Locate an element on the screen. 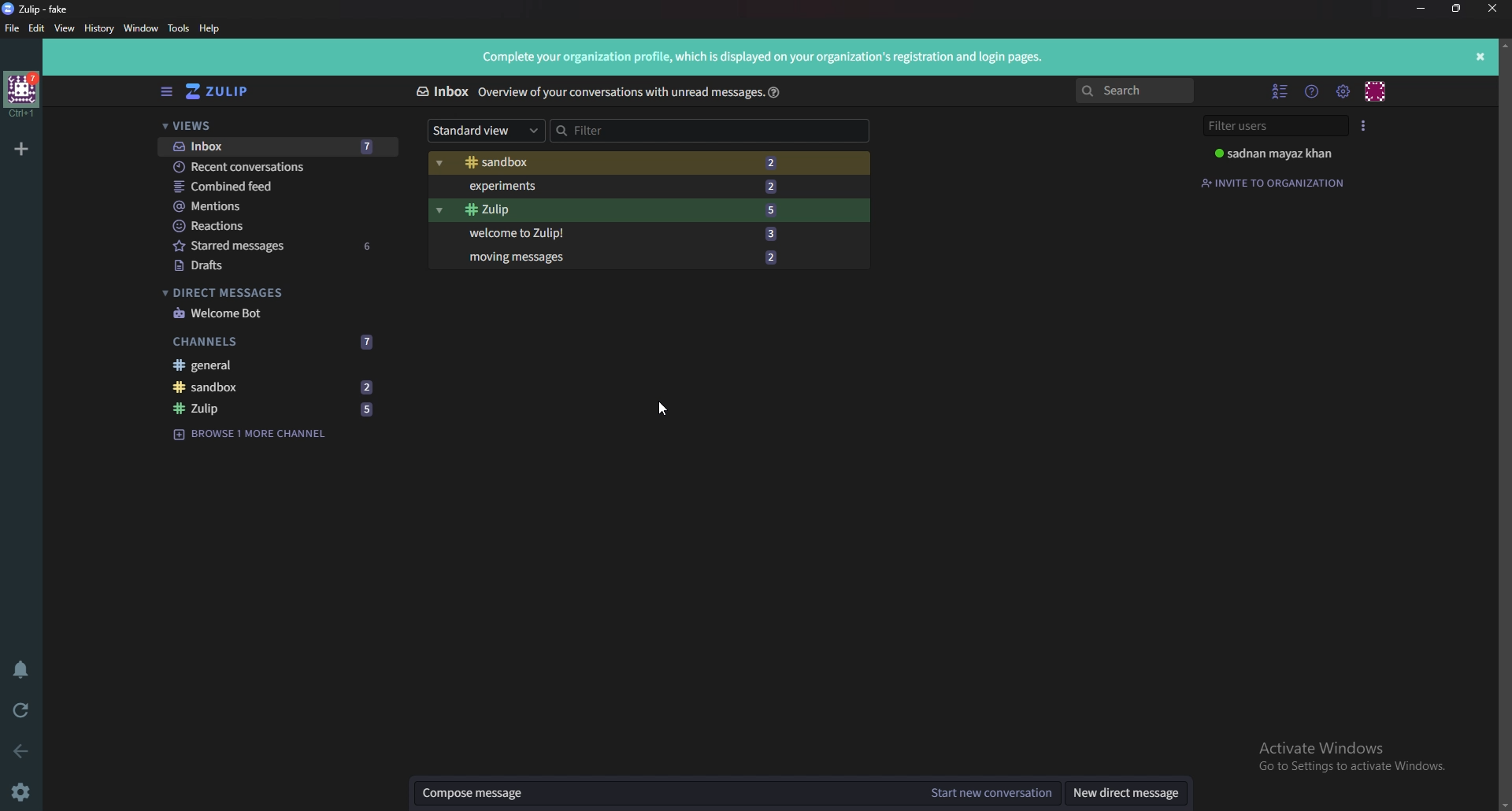 The image size is (1512, 811). Mentions is located at coordinates (279, 207).